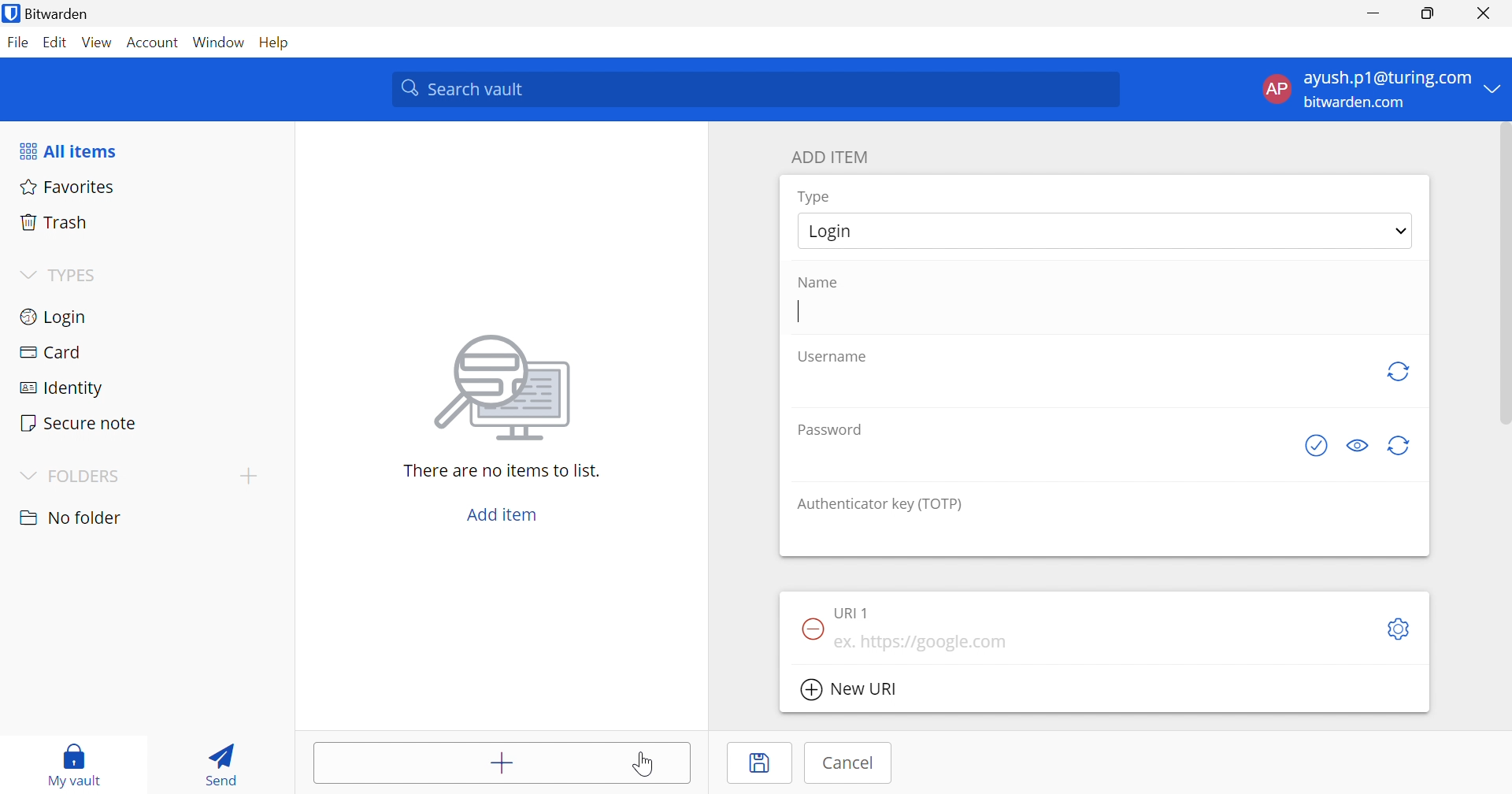  Describe the element at coordinates (1497, 89) in the screenshot. I see `Drop Down` at that location.